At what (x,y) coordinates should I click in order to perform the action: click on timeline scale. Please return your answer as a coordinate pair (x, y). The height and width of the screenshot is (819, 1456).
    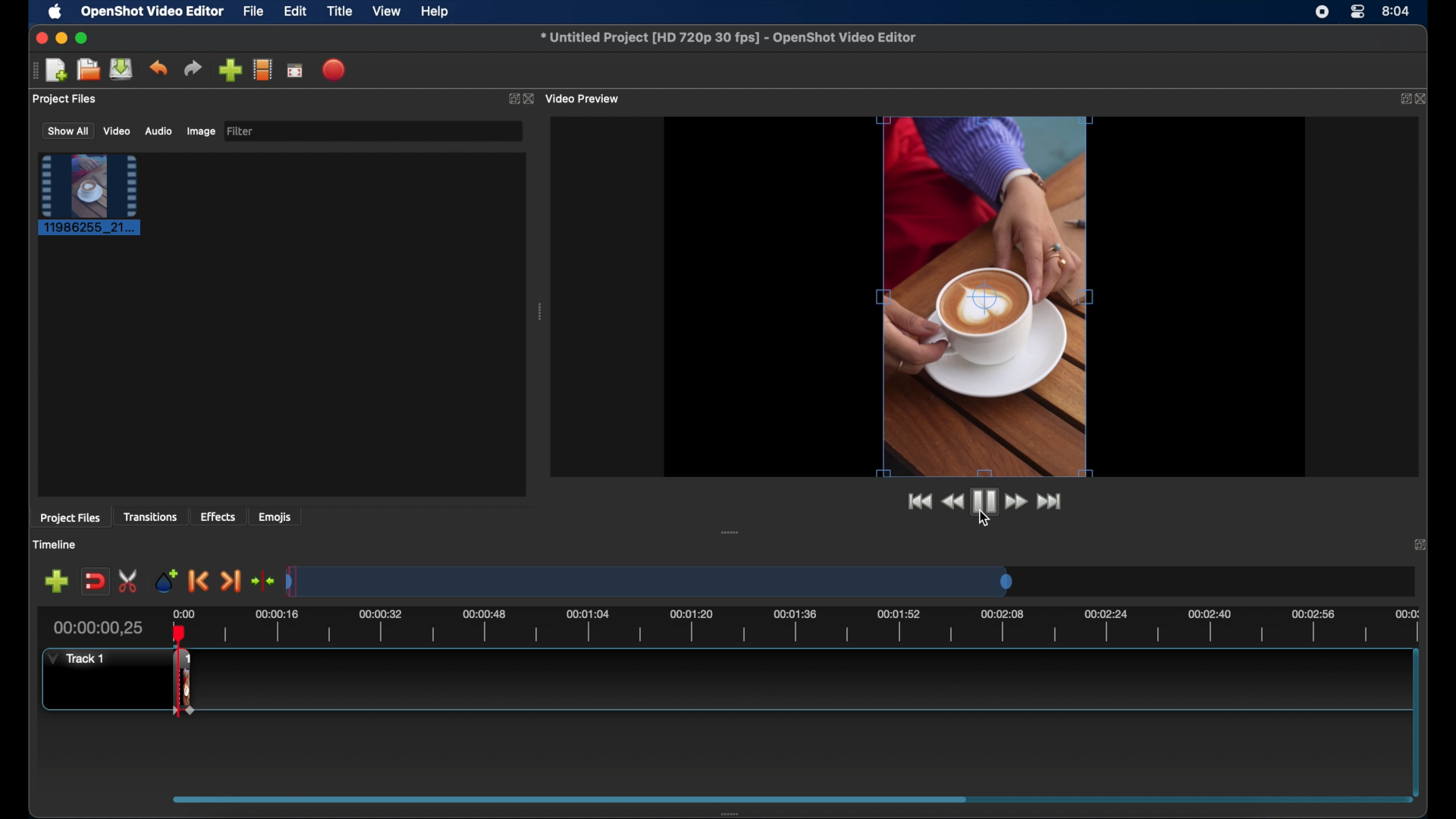
    Looking at the image, I should click on (649, 583).